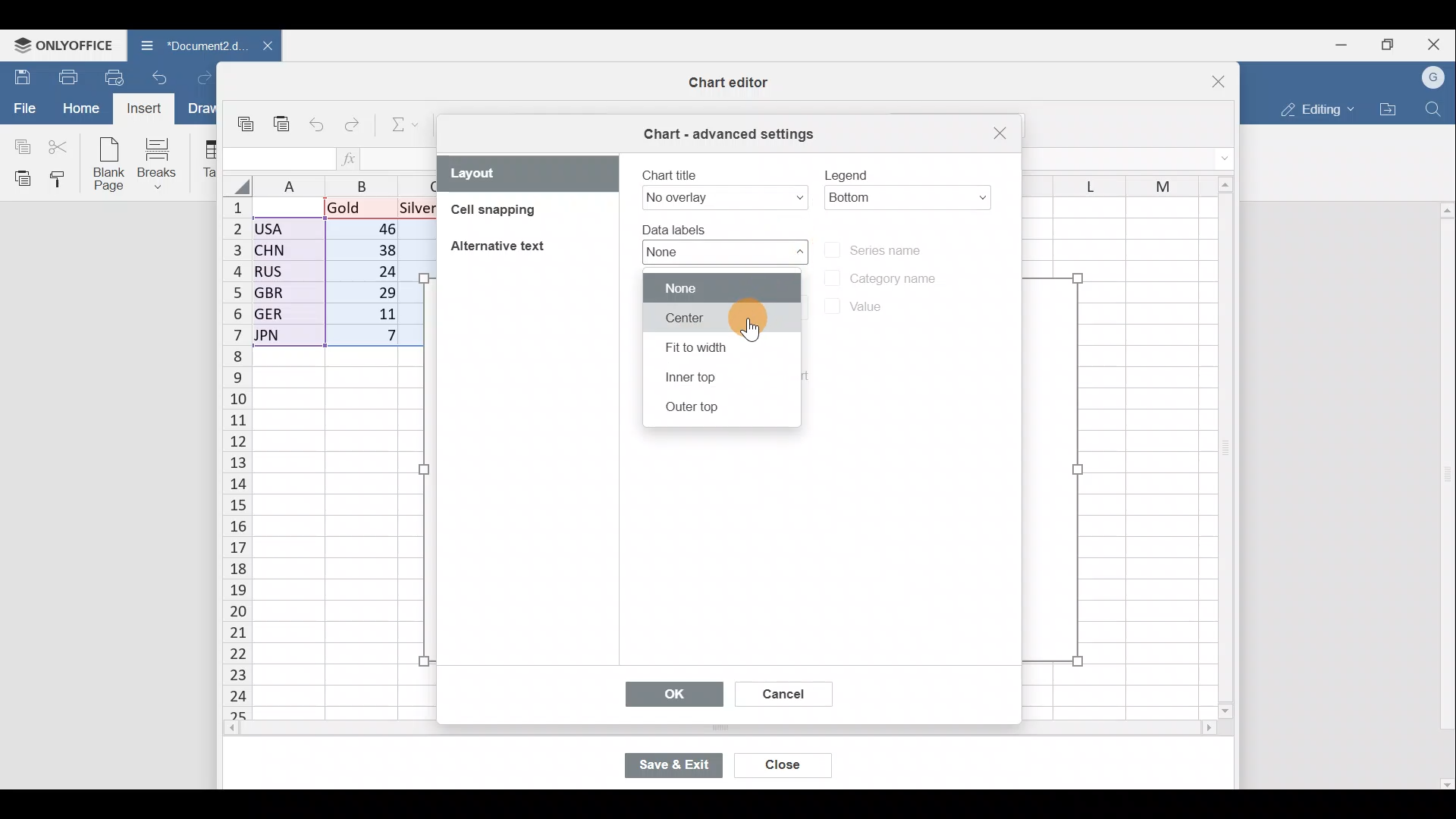  I want to click on Copy style, so click(64, 178).